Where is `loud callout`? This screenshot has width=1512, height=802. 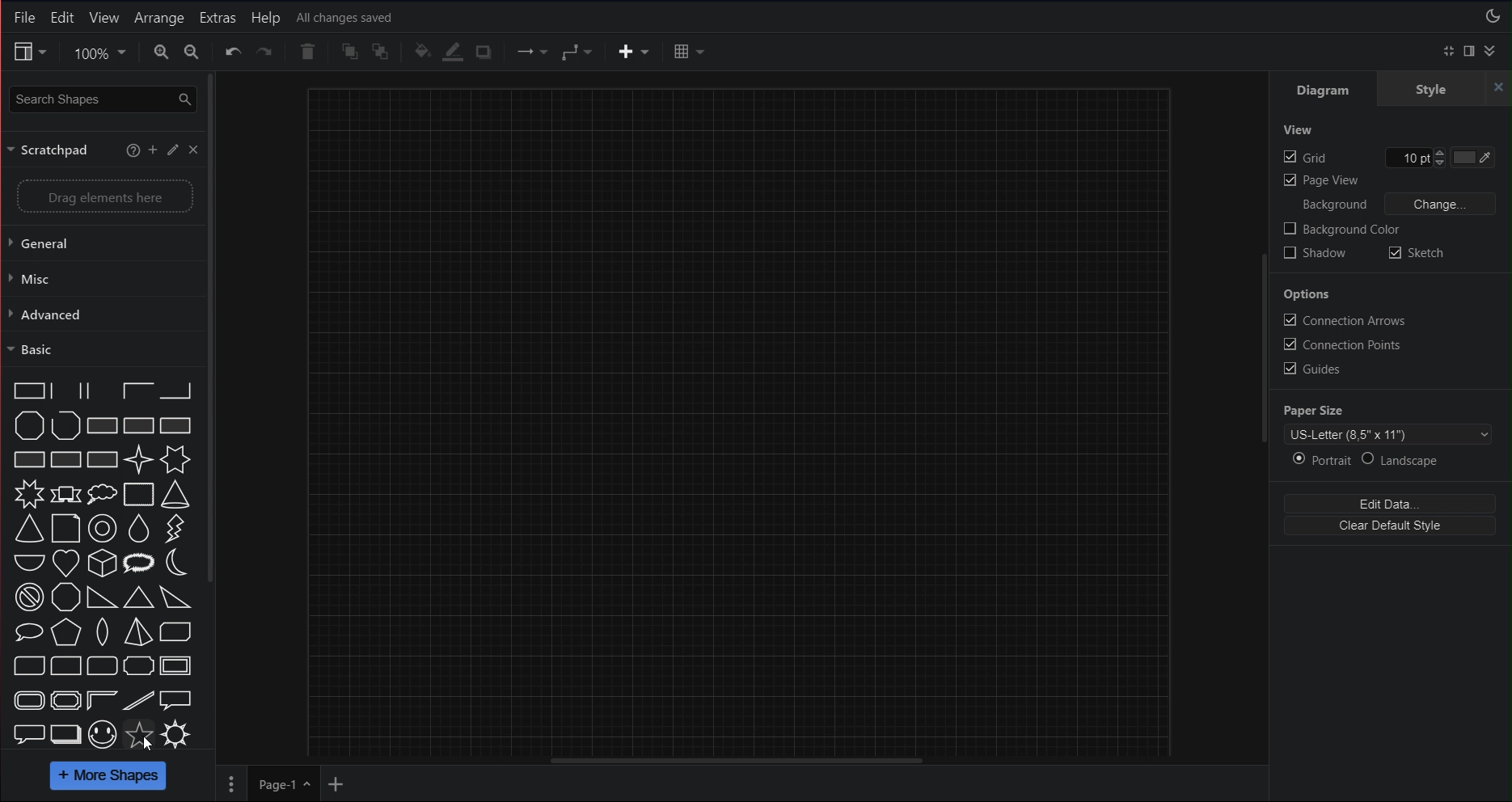 loud callout is located at coordinates (140, 564).